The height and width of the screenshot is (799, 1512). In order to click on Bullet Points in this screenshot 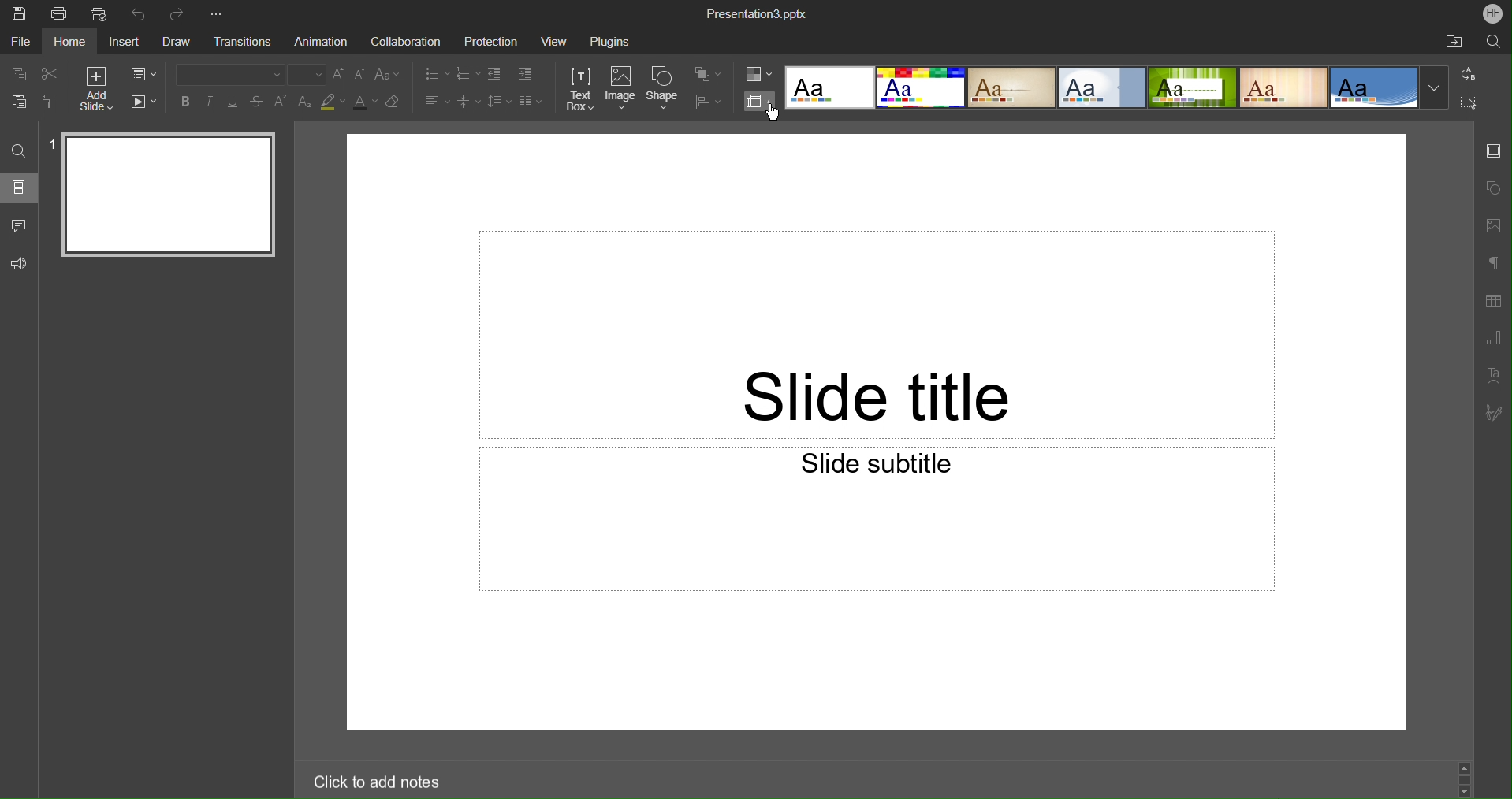, I will do `click(435, 73)`.